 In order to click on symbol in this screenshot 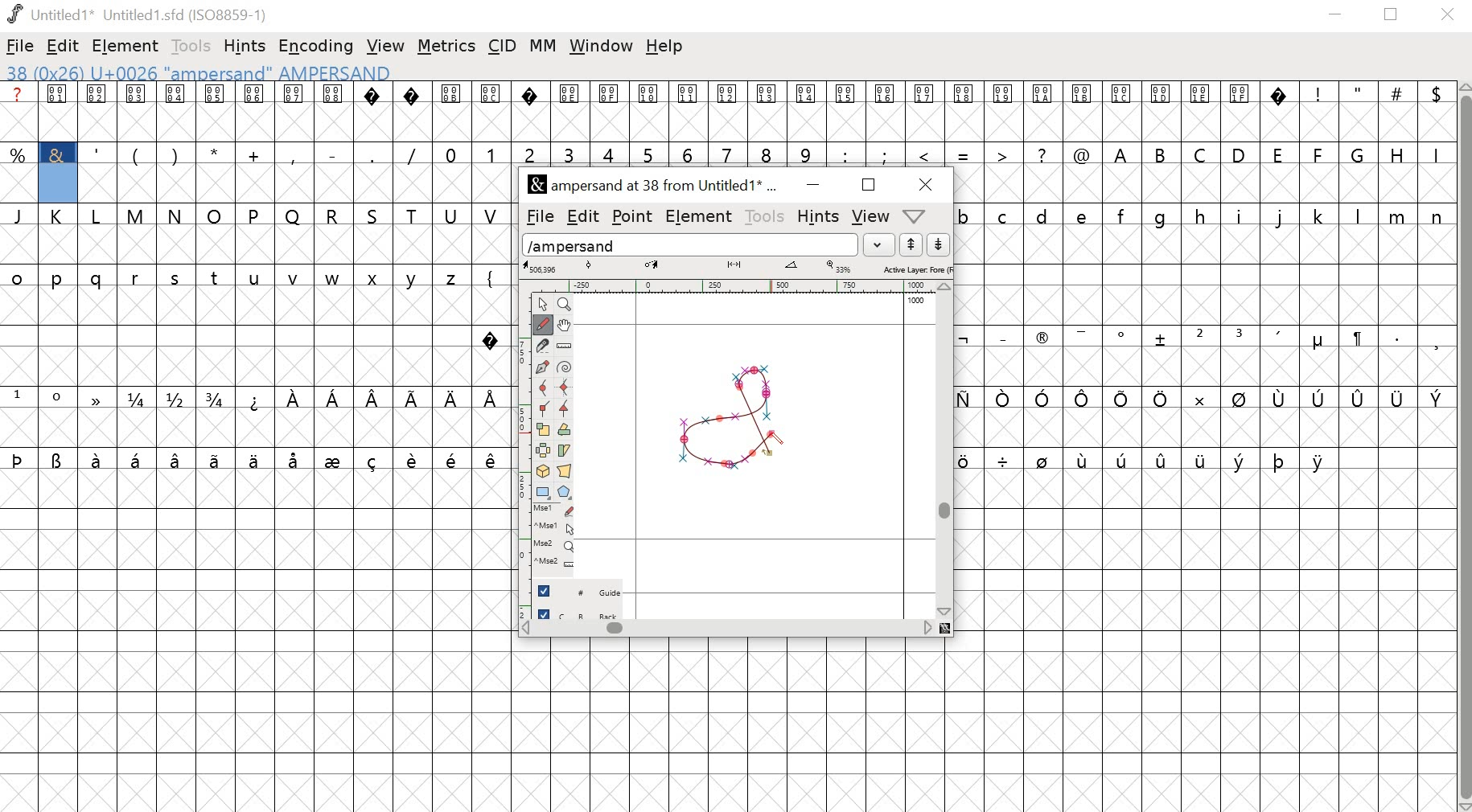, I will do `click(1043, 459)`.